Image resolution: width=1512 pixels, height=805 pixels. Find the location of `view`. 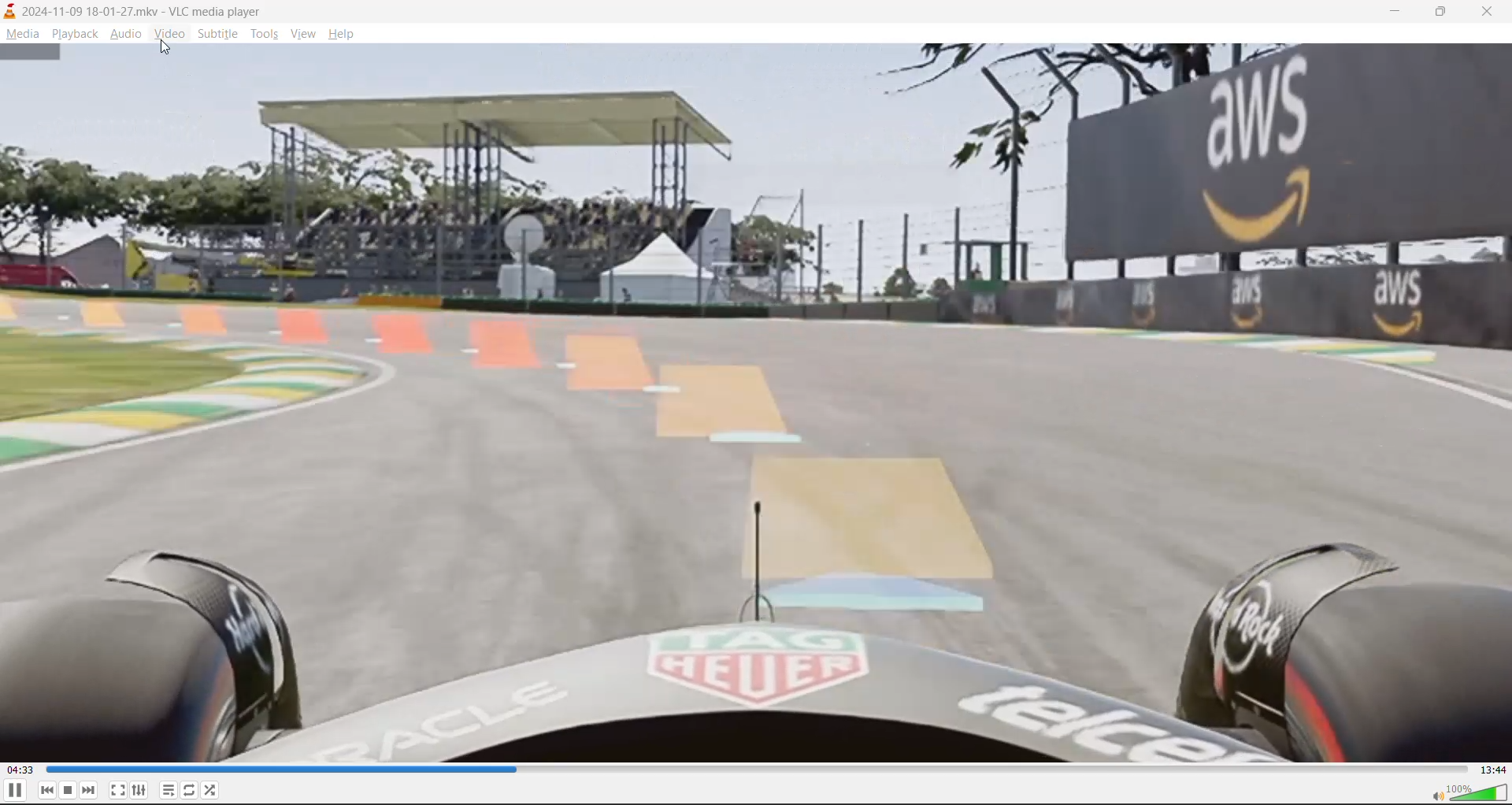

view is located at coordinates (300, 34).